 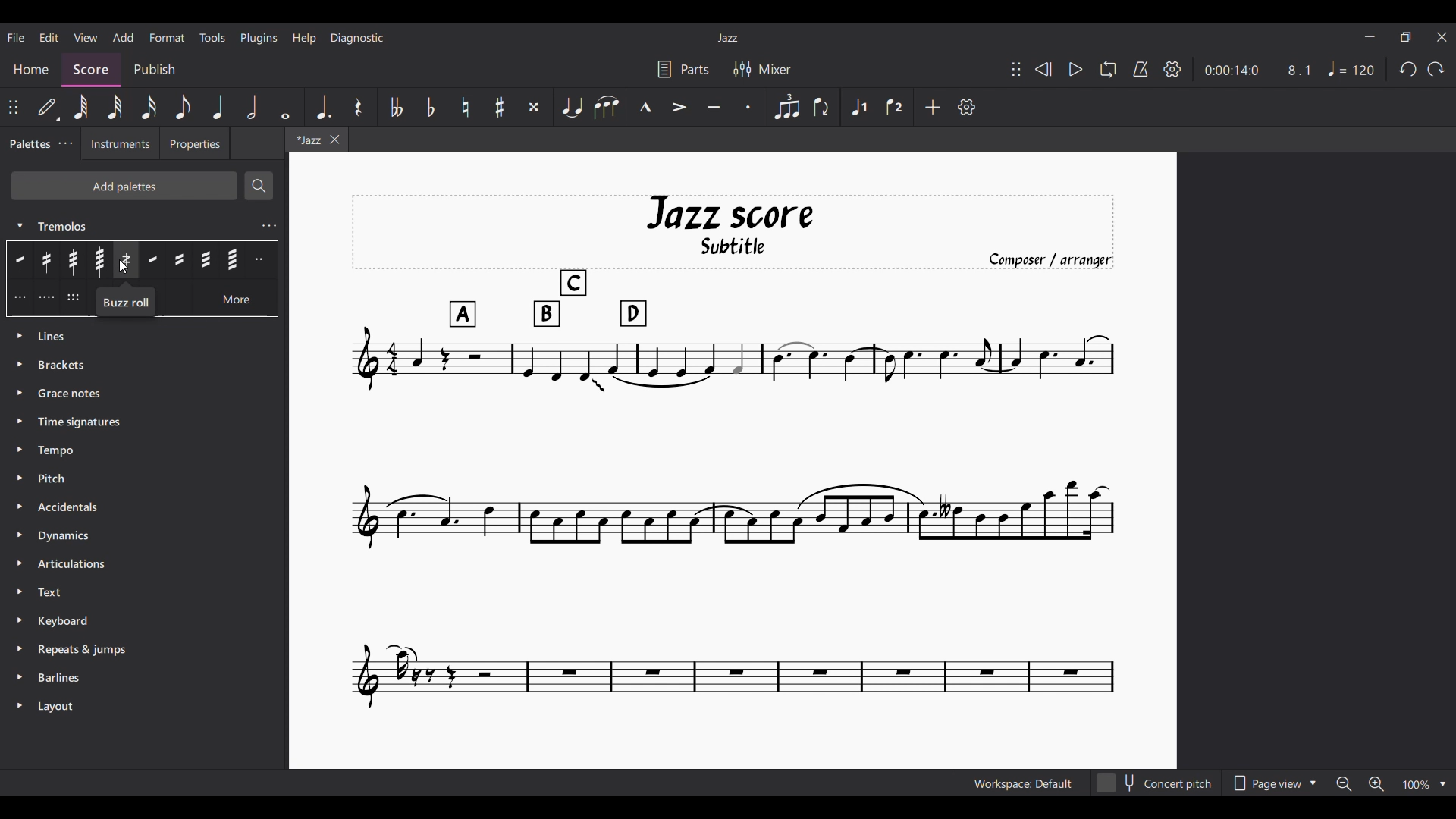 What do you see at coordinates (748, 107) in the screenshot?
I see `Staccato` at bounding box center [748, 107].